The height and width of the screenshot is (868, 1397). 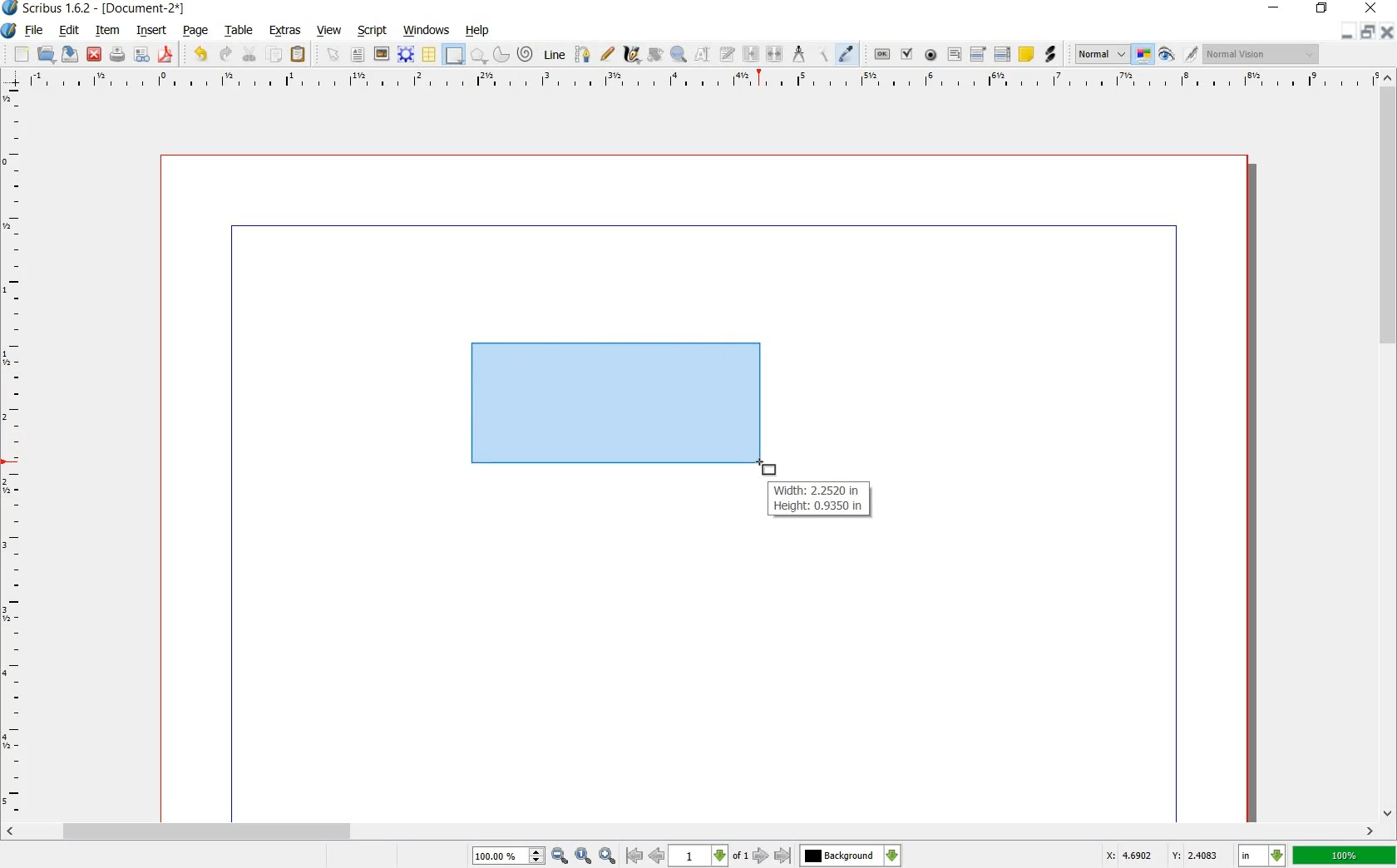 I want to click on PDF LIST BOX, so click(x=1001, y=54).